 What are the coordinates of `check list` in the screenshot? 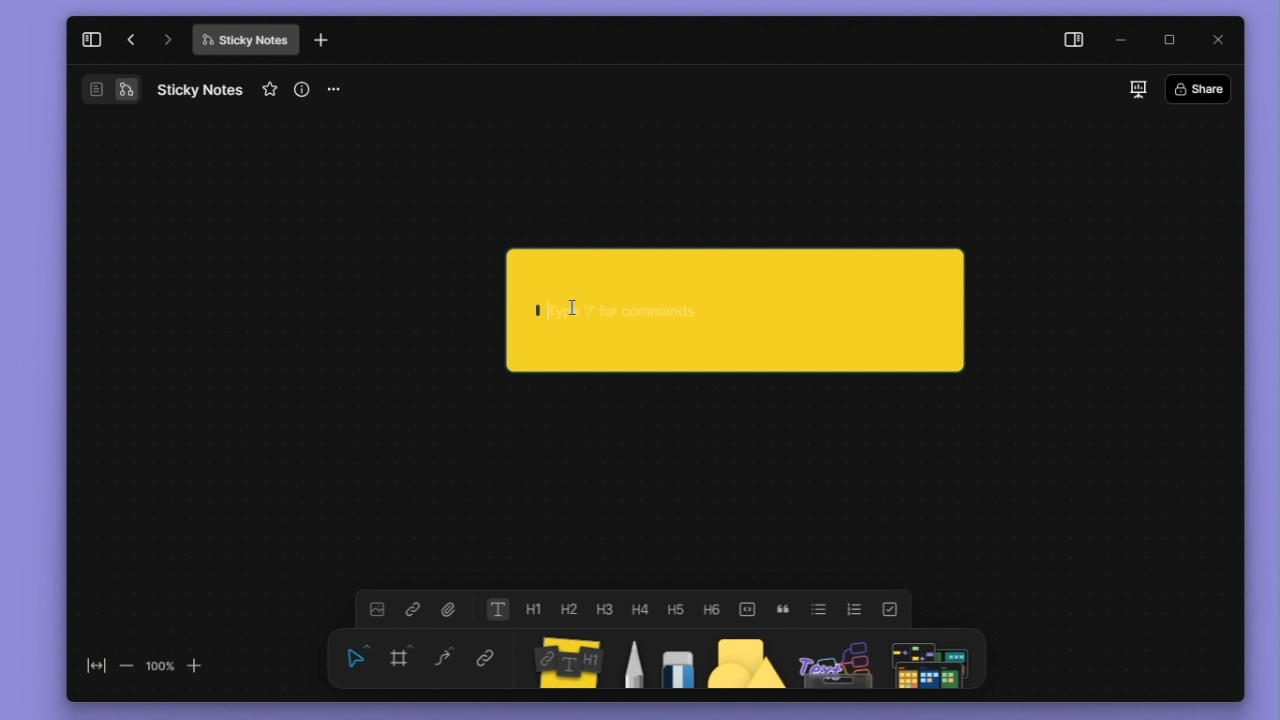 It's located at (896, 609).